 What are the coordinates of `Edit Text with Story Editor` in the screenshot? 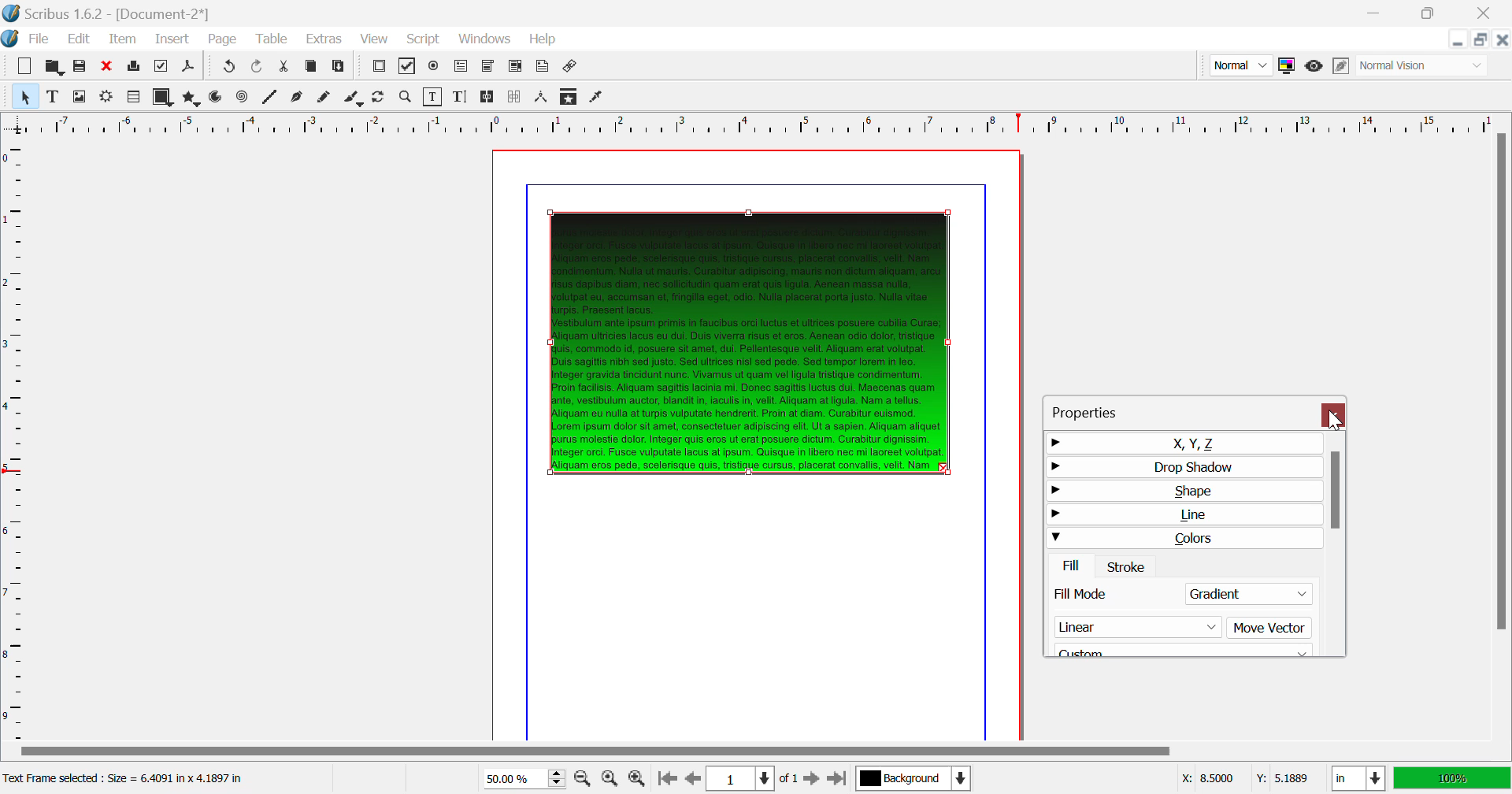 It's located at (460, 97).